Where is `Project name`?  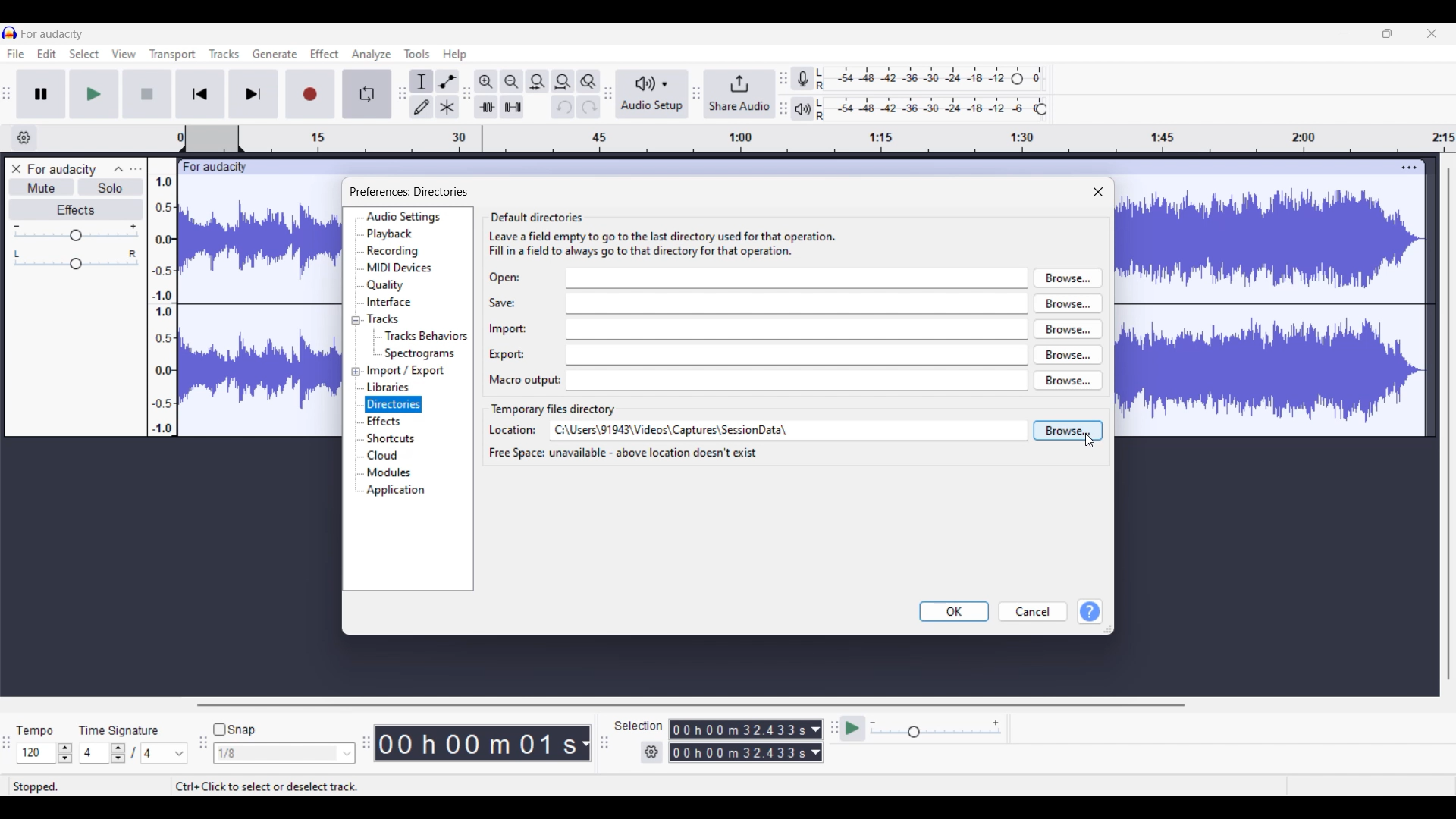 Project name is located at coordinates (52, 33).